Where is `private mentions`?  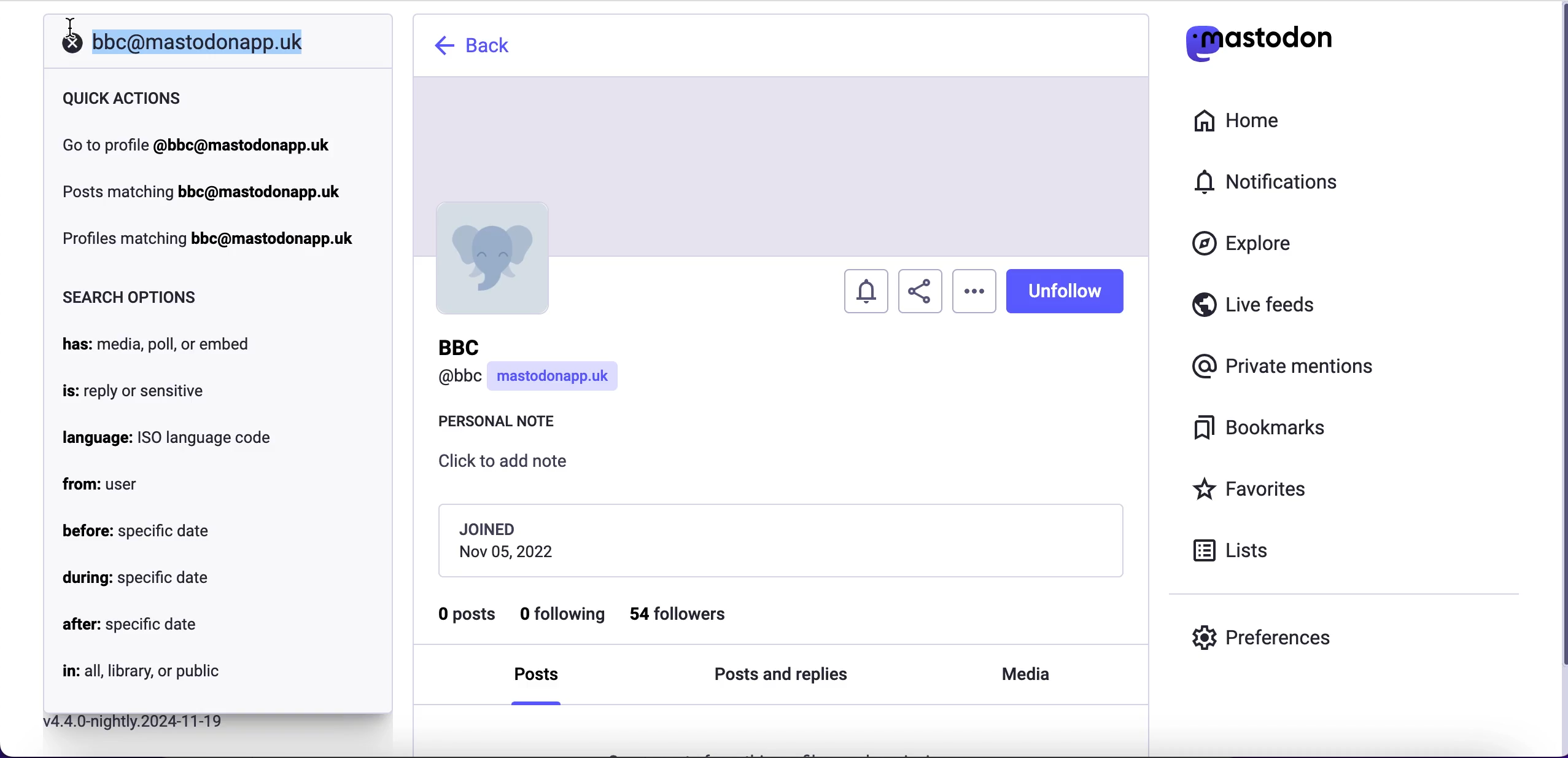 private mentions is located at coordinates (1287, 363).